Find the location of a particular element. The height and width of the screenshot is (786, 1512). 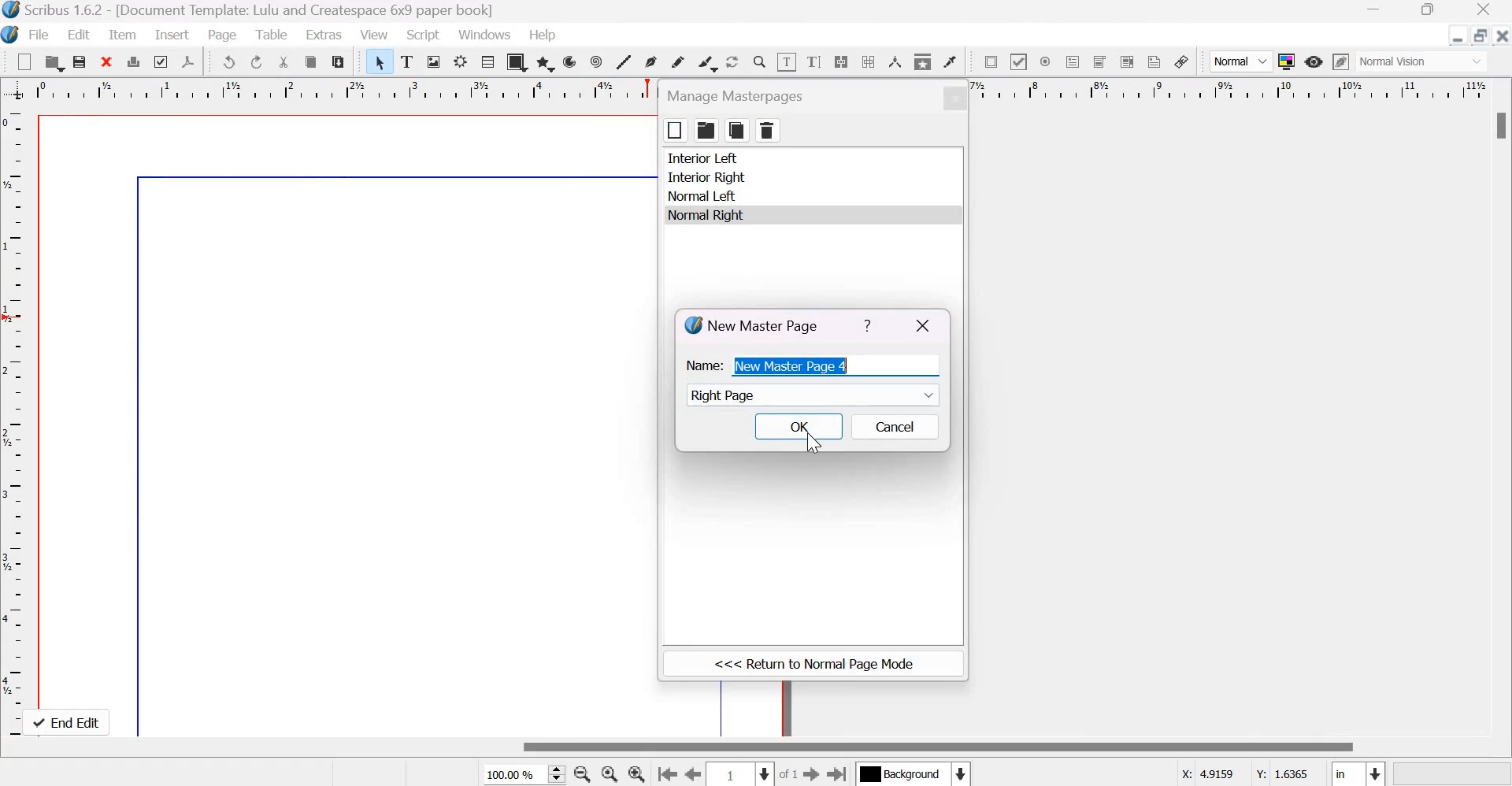

polygon is located at coordinates (545, 62).